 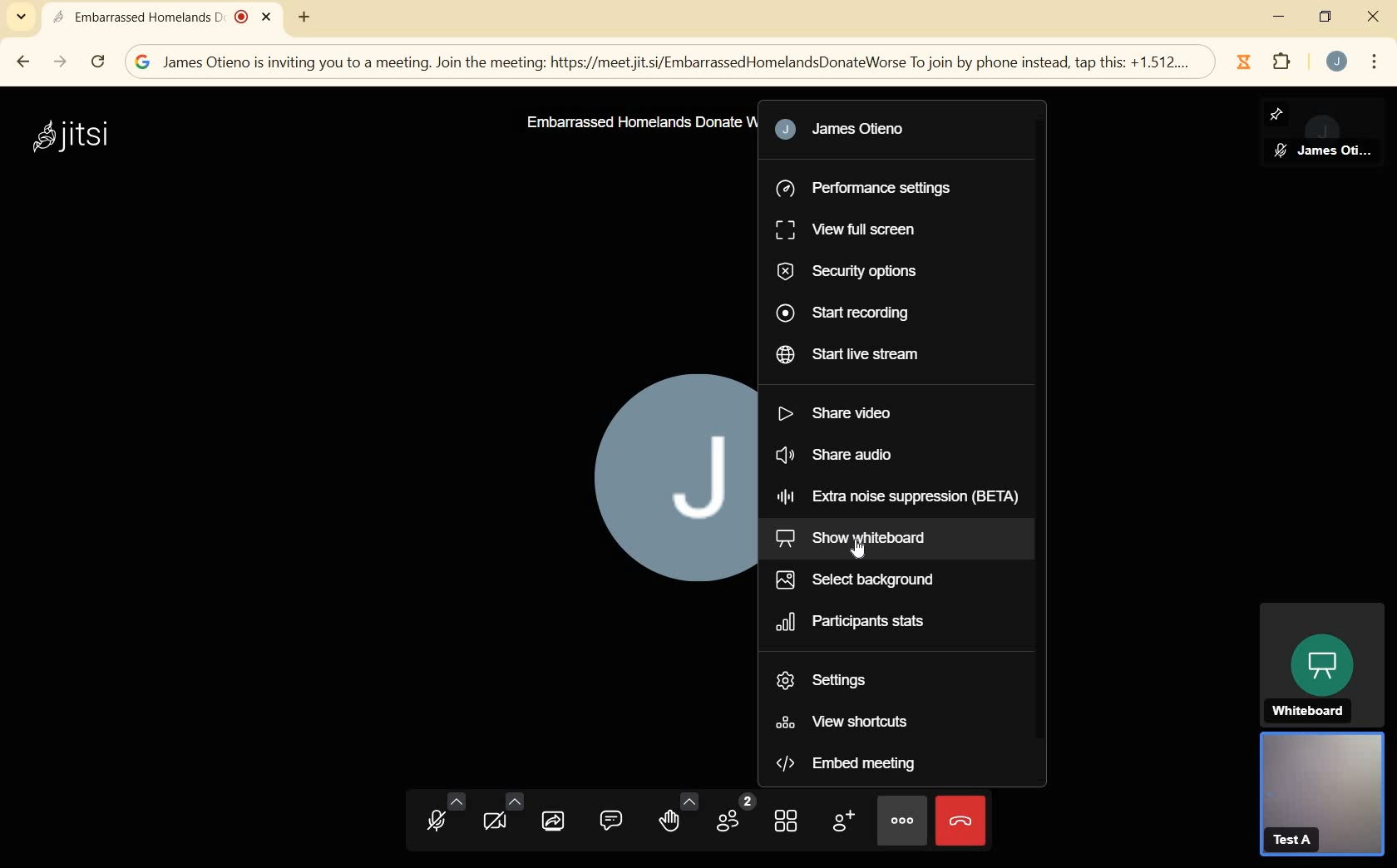 What do you see at coordinates (1283, 65) in the screenshot?
I see `extensions` at bounding box center [1283, 65].